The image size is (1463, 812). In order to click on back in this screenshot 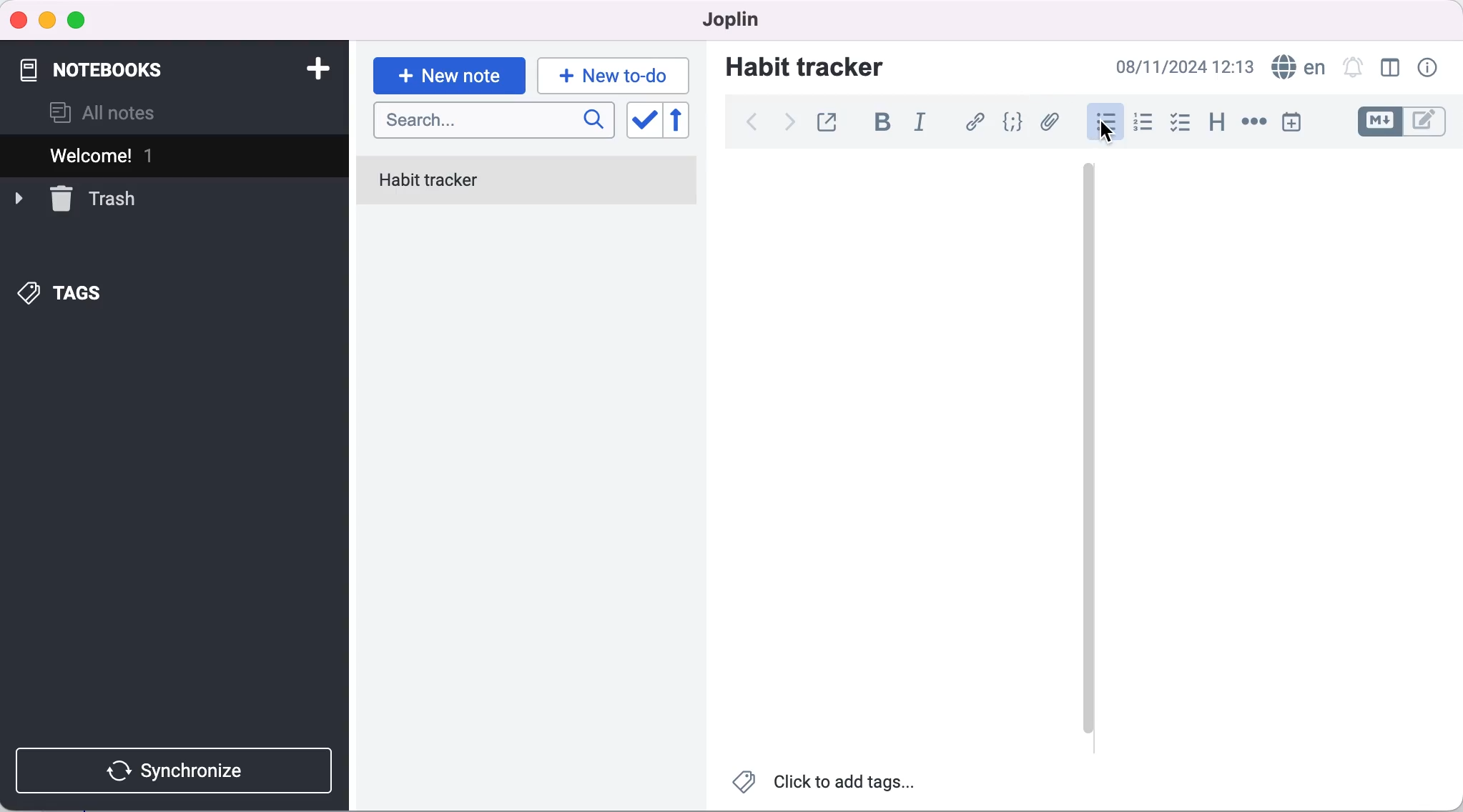, I will do `click(751, 122)`.